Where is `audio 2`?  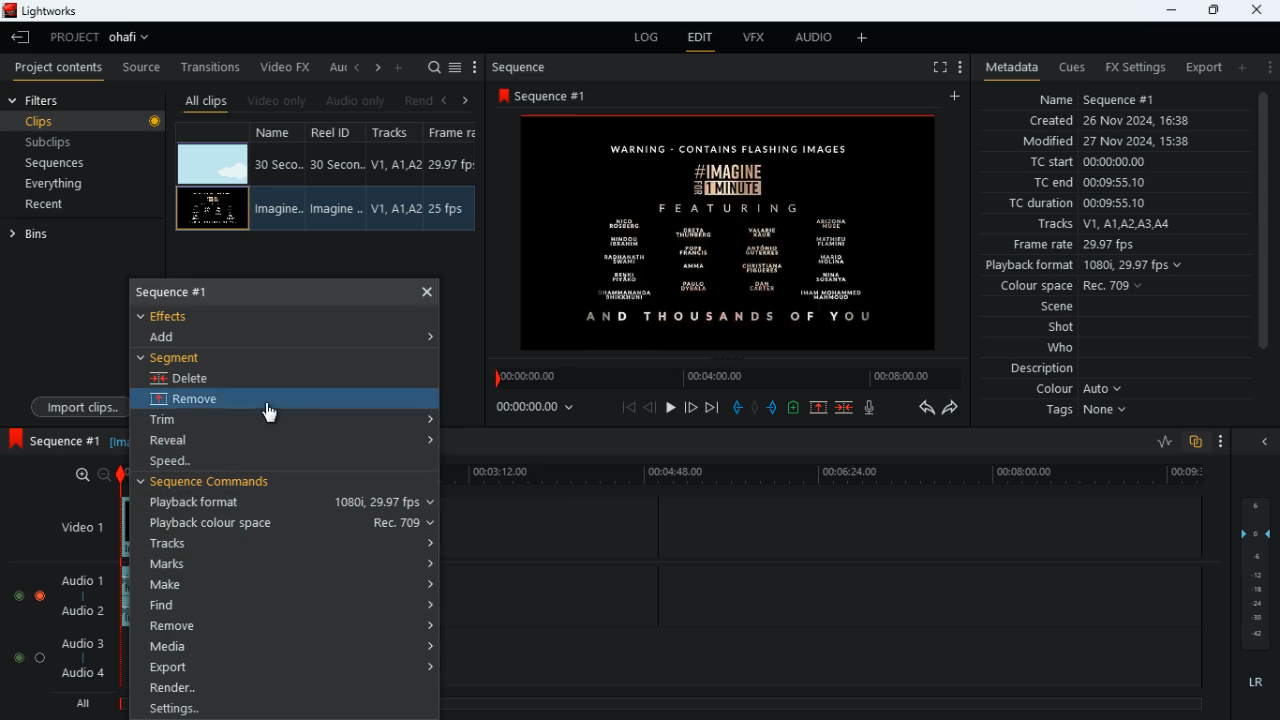
audio 2 is located at coordinates (83, 611).